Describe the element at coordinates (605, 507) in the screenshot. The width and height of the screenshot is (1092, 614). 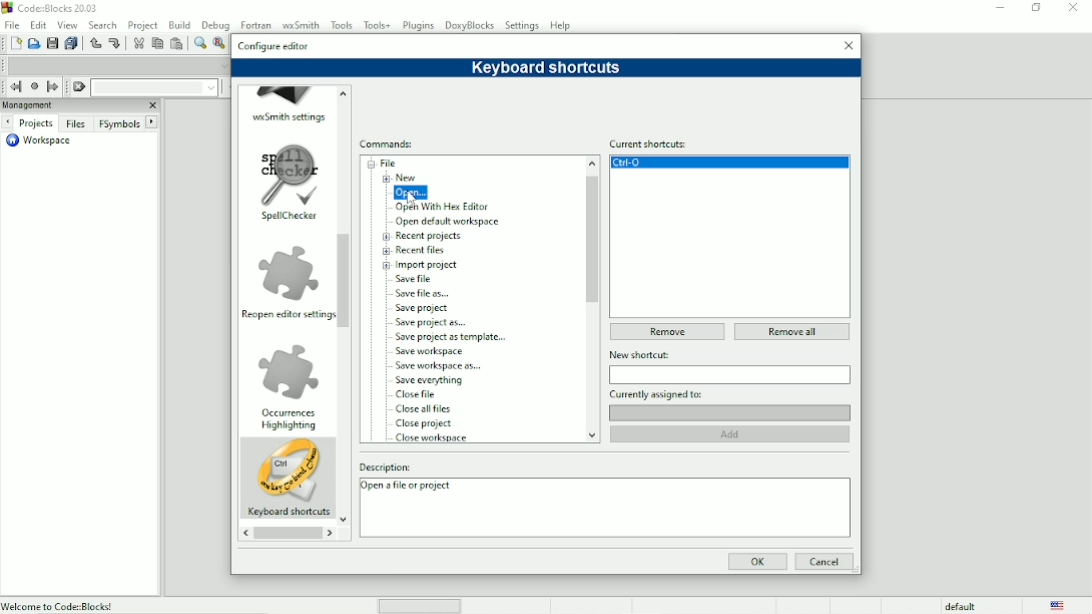
I see `` at that location.